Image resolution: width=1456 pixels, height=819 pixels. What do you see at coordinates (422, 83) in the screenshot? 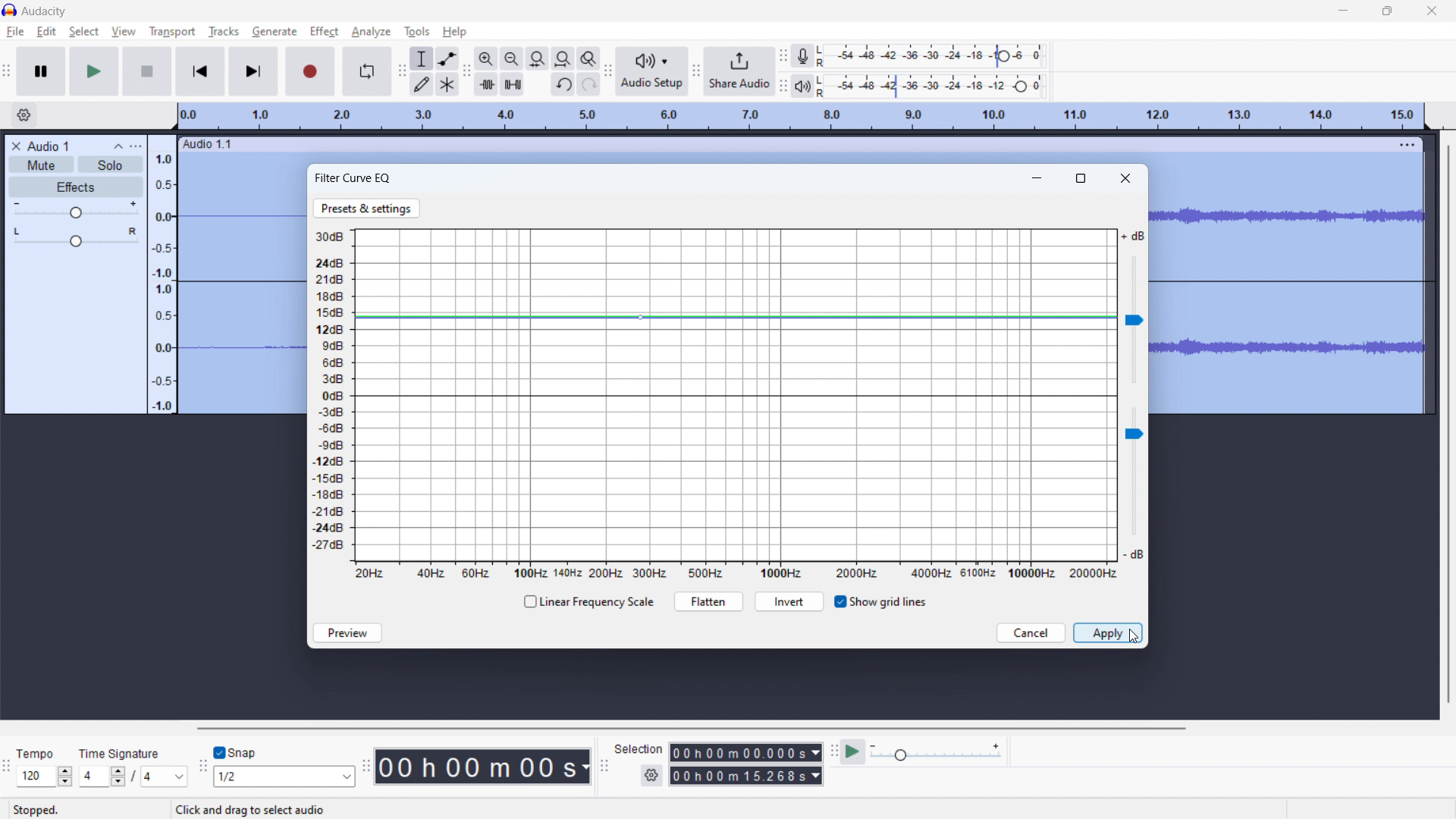
I see `draw tool` at bounding box center [422, 83].